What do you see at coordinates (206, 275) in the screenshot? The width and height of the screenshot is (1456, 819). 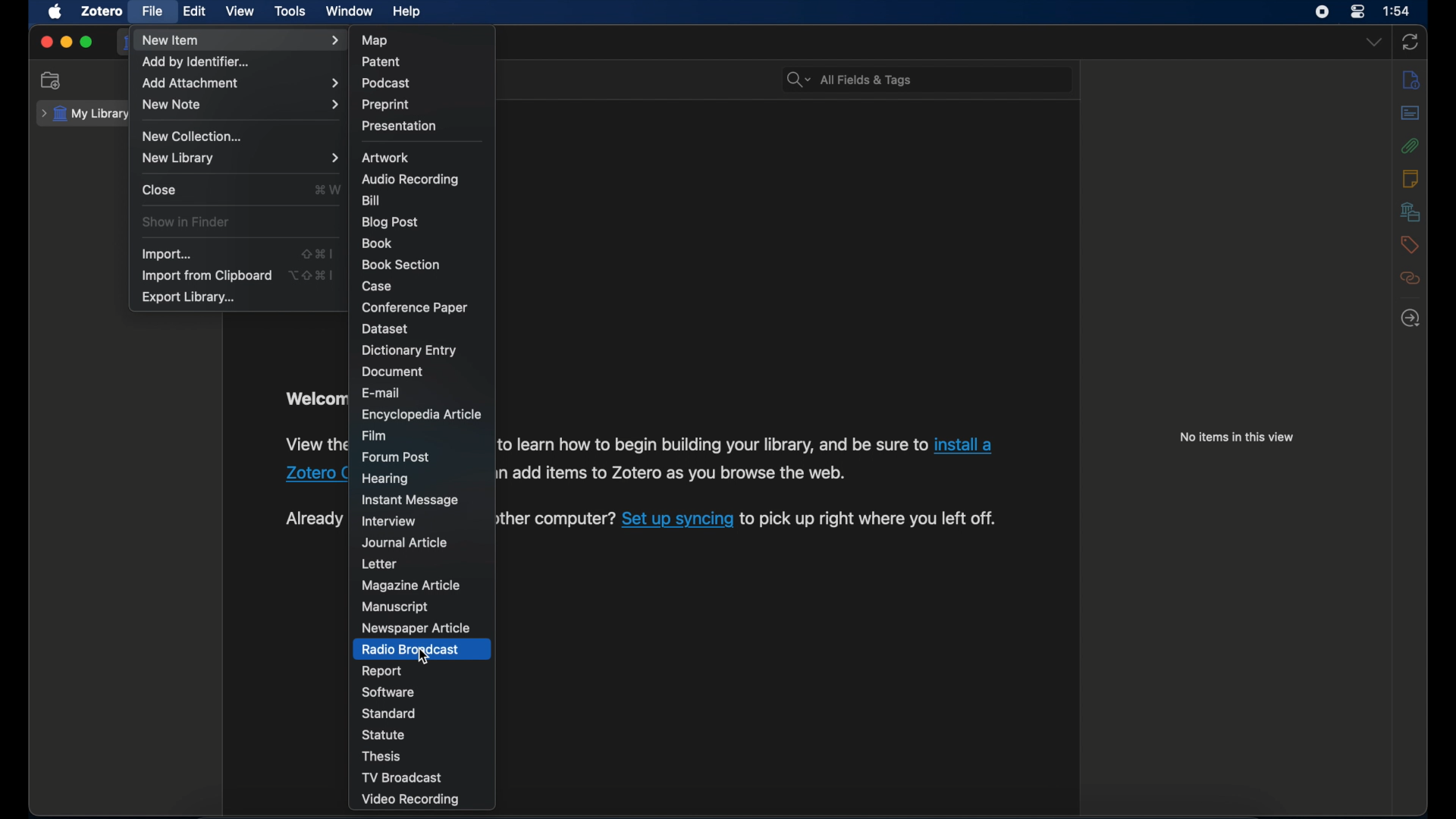 I see `import from clipboard` at bounding box center [206, 275].